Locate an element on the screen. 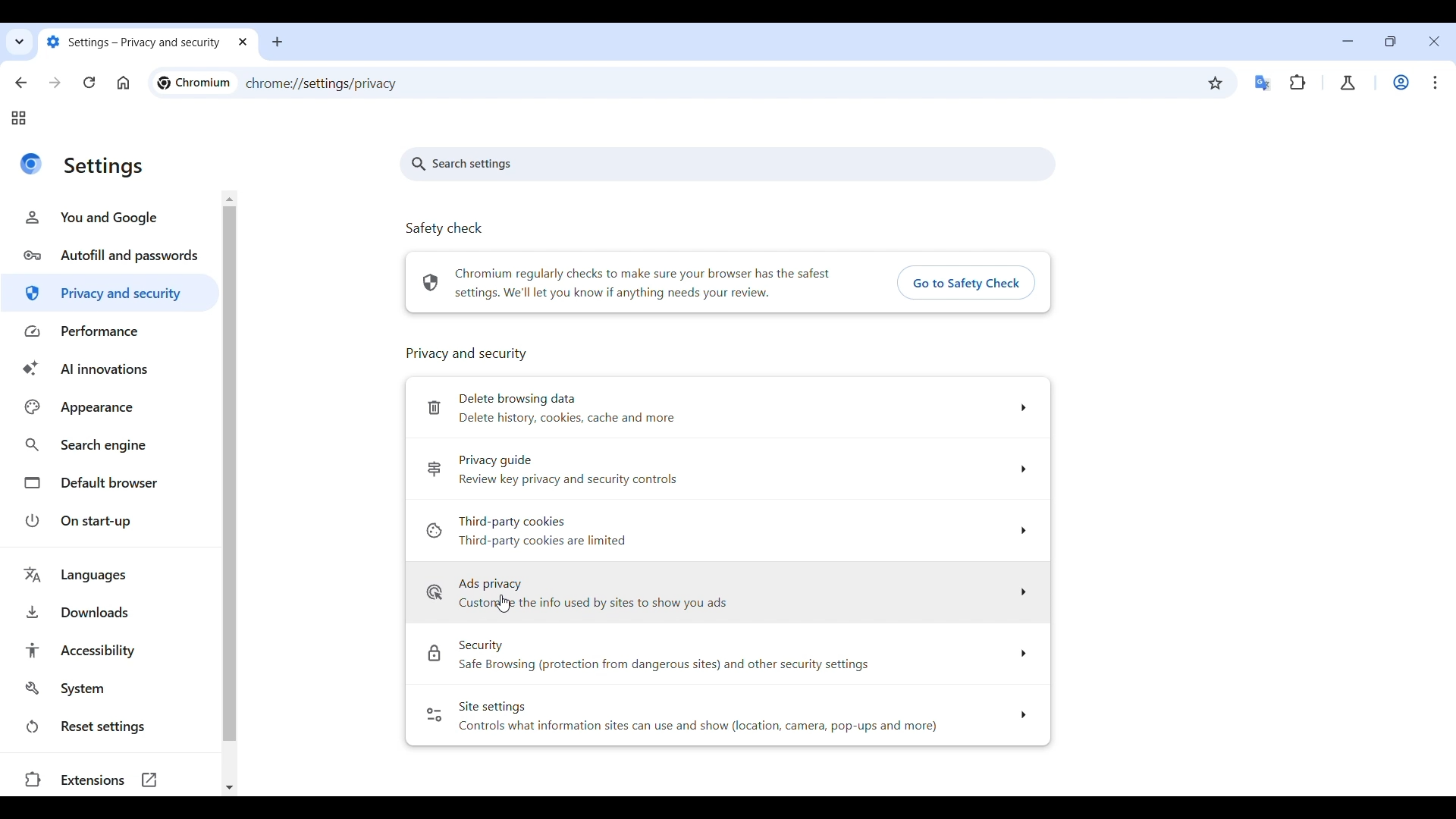 This screenshot has height=819, width=1456. Default browser is located at coordinates (109, 483).